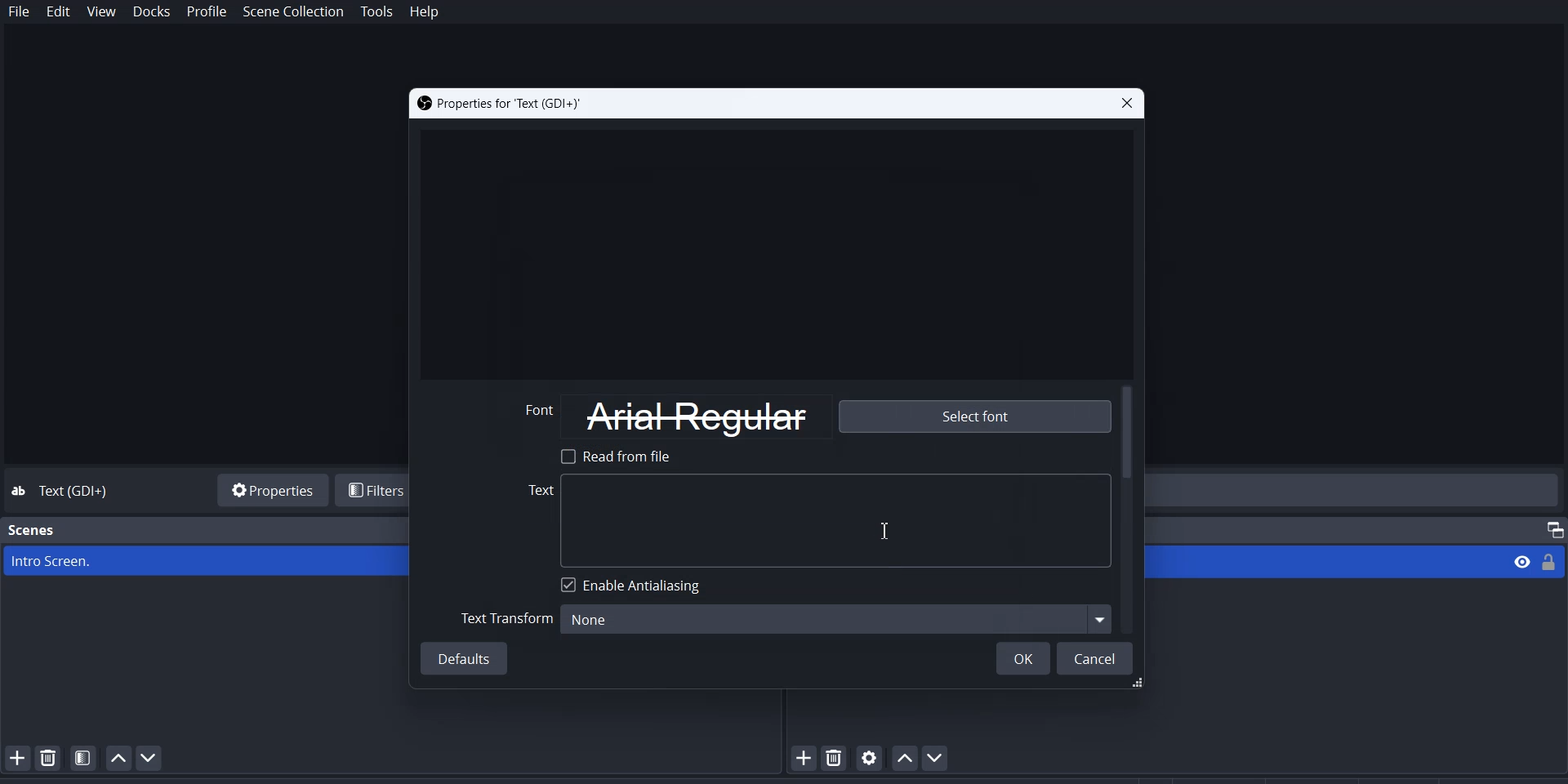 This screenshot has width=1568, height=784. I want to click on Preview Window, so click(774, 250).